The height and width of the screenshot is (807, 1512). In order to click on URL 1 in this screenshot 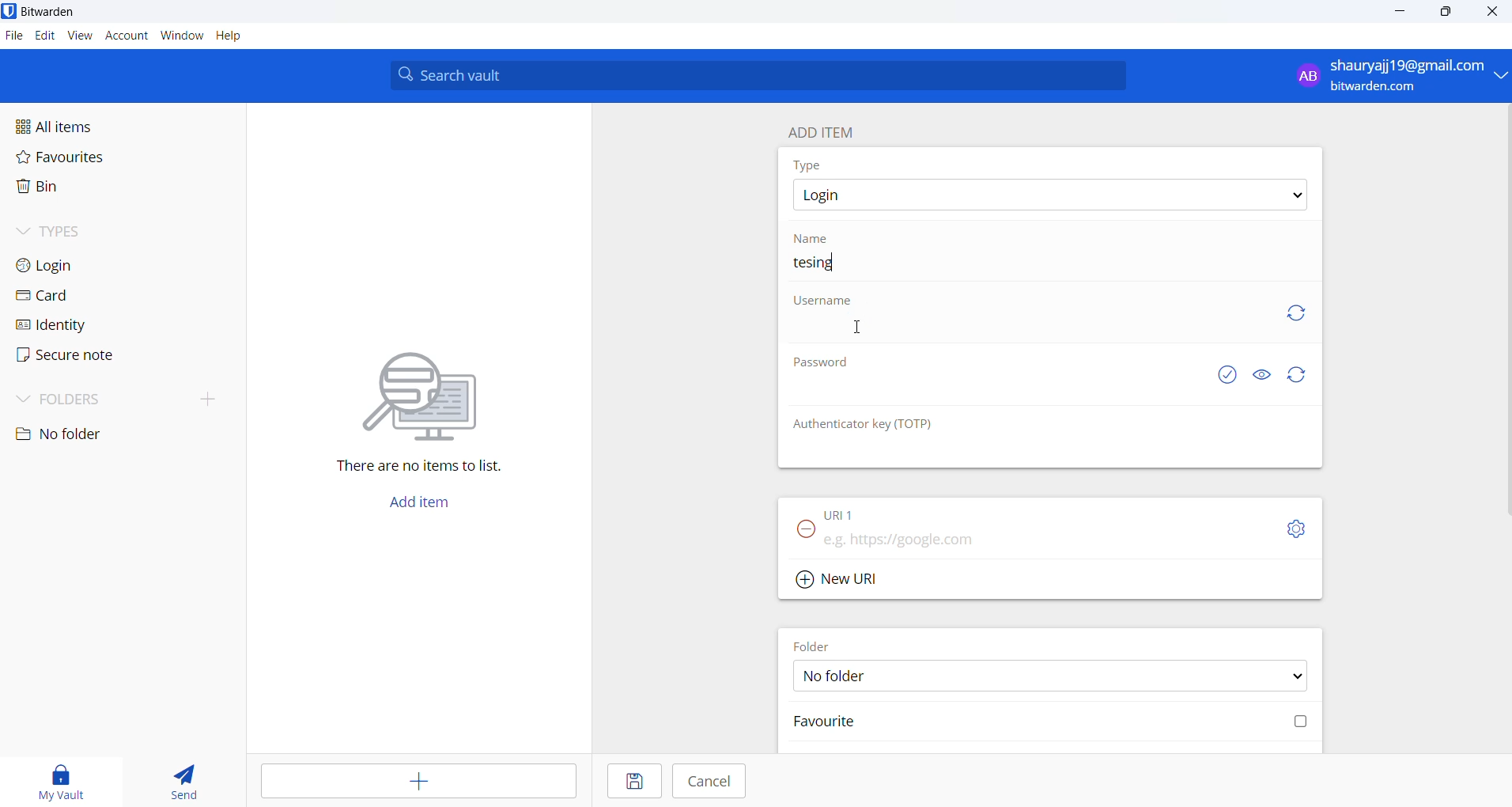, I will do `click(844, 514)`.